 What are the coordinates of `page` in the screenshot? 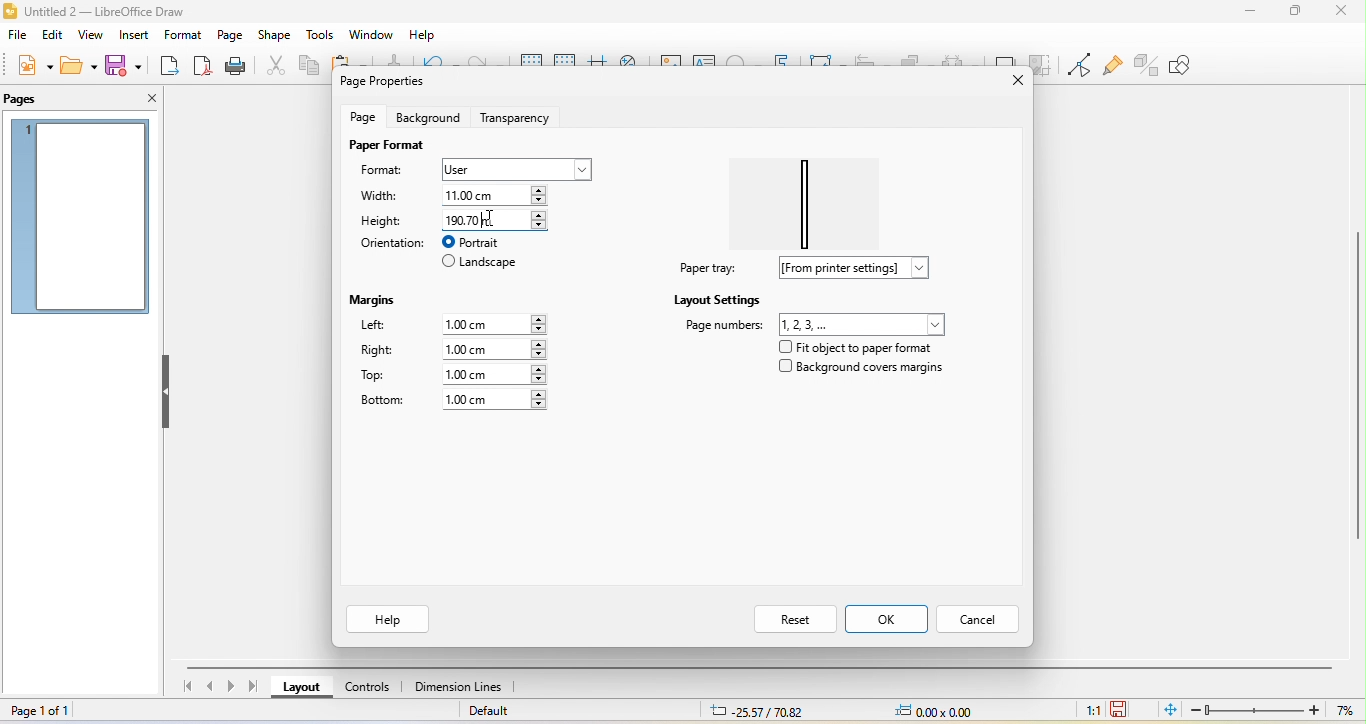 It's located at (229, 35).